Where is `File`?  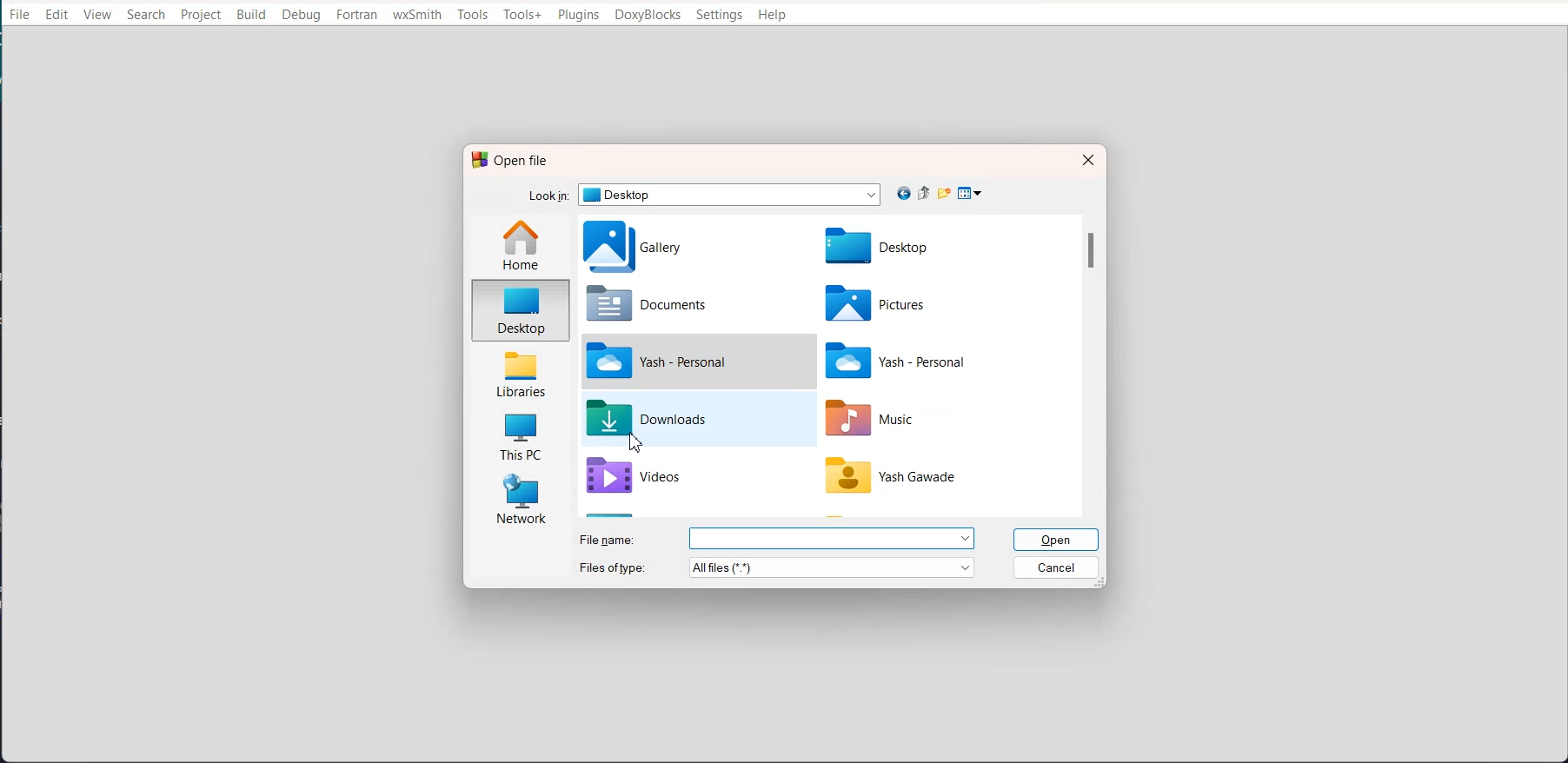
File is located at coordinates (19, 14).